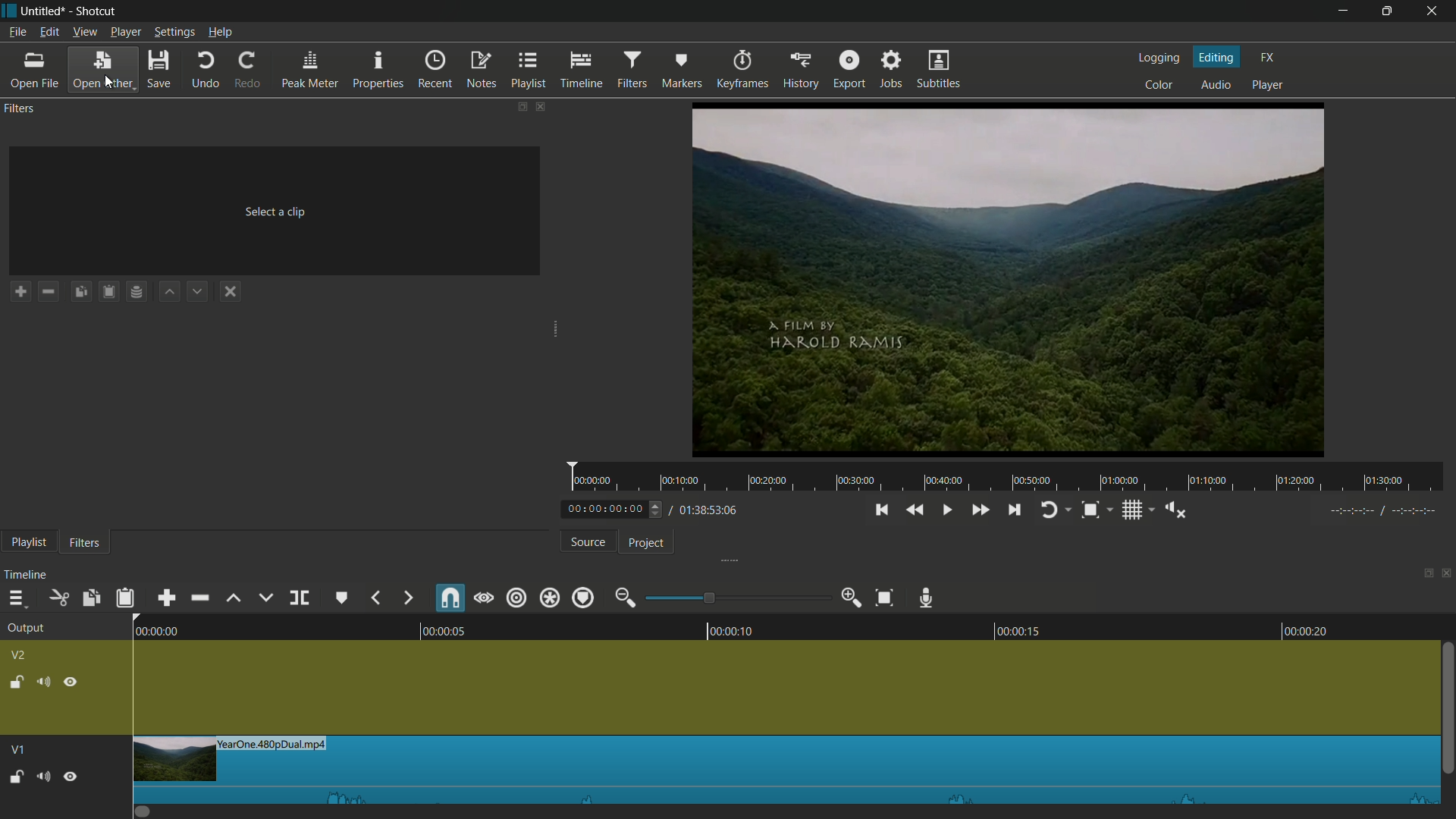 This screenshot has width=1456, height=819. What do you see at coordinates (1090, 510) in the screenshot?
I see `toggle snap` at bounding box center [1090, 510].